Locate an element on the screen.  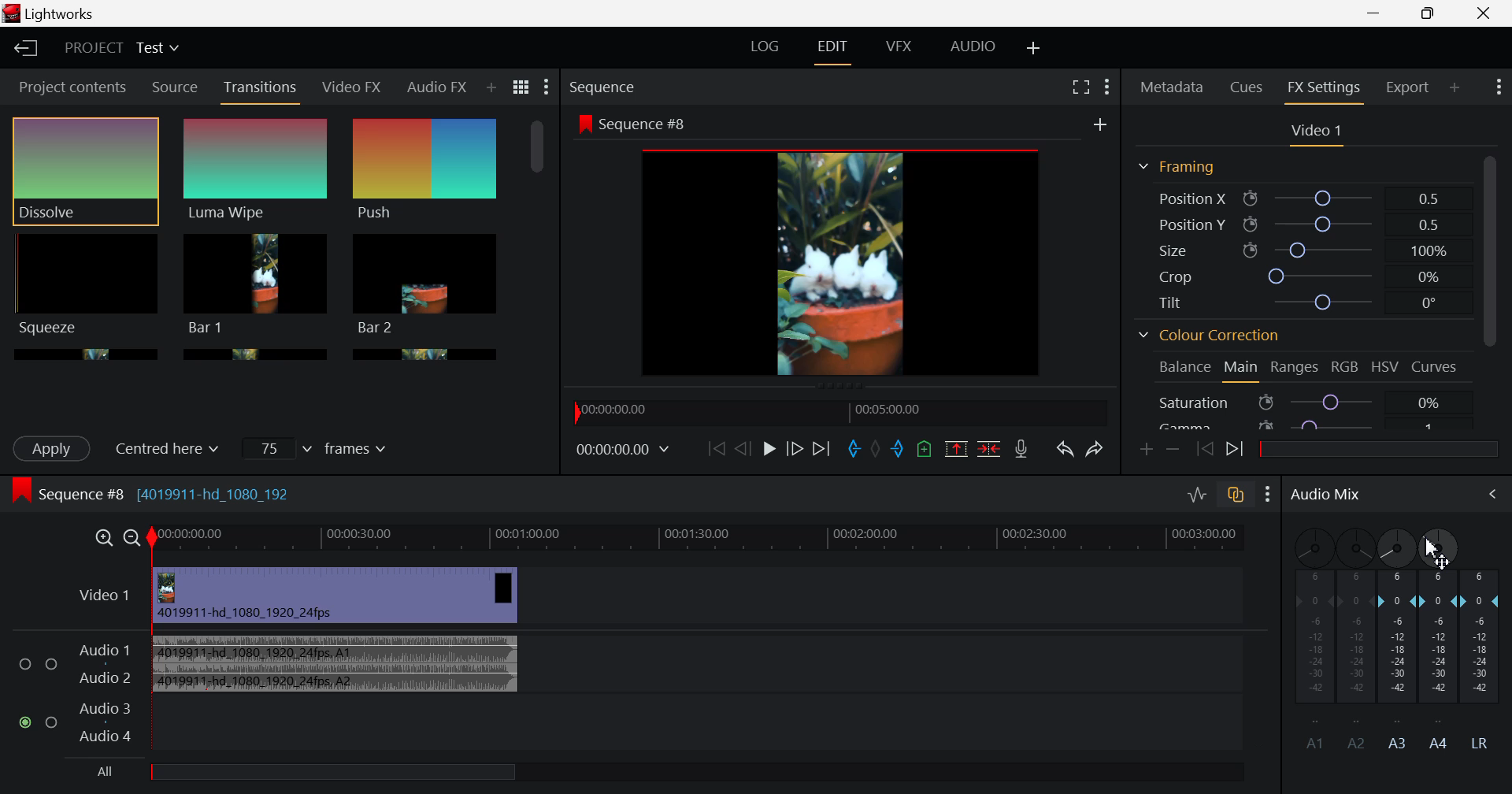
Show Settings is located at coordinates (1106, 87).